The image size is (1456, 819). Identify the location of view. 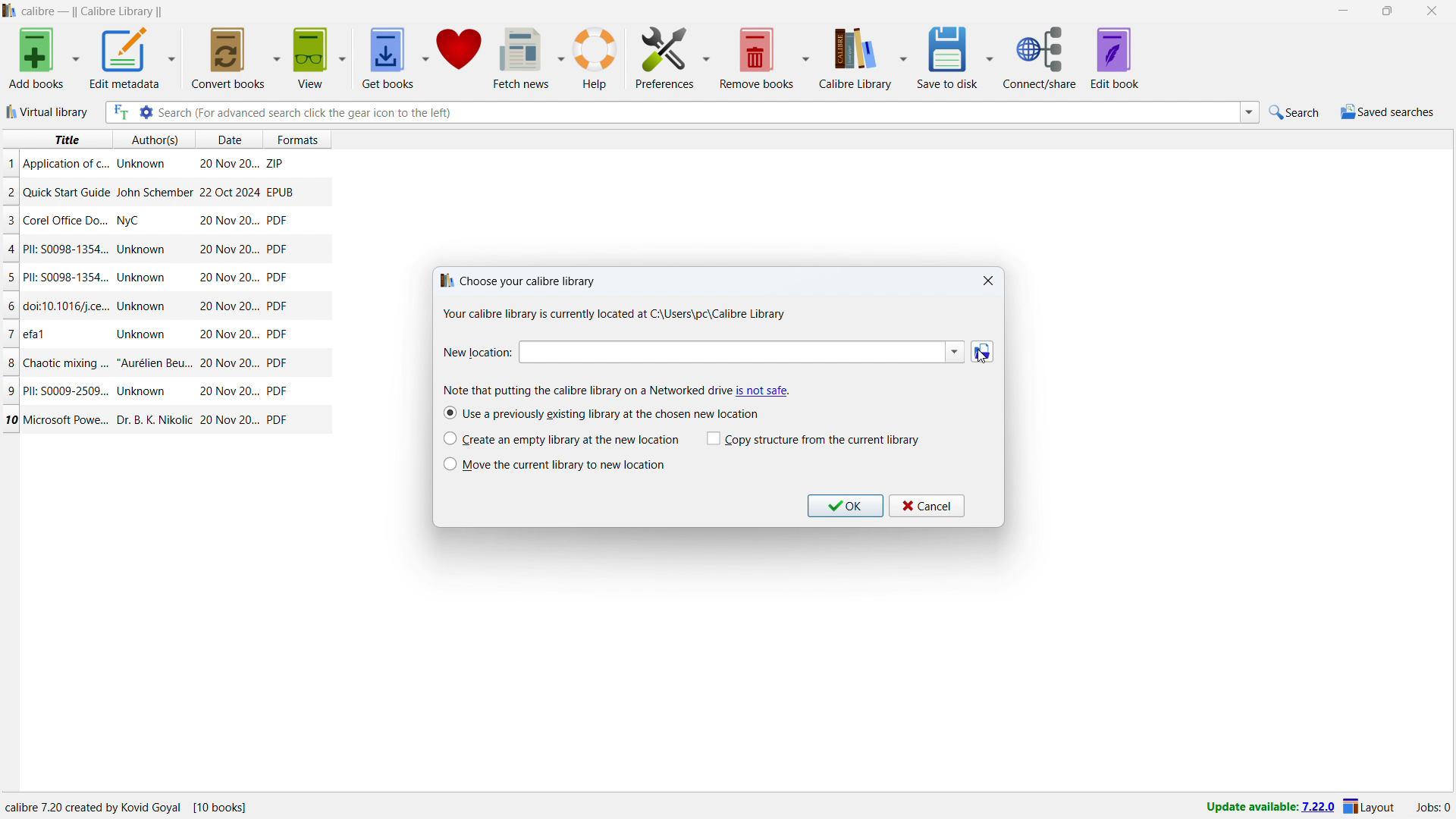
(310, 58).